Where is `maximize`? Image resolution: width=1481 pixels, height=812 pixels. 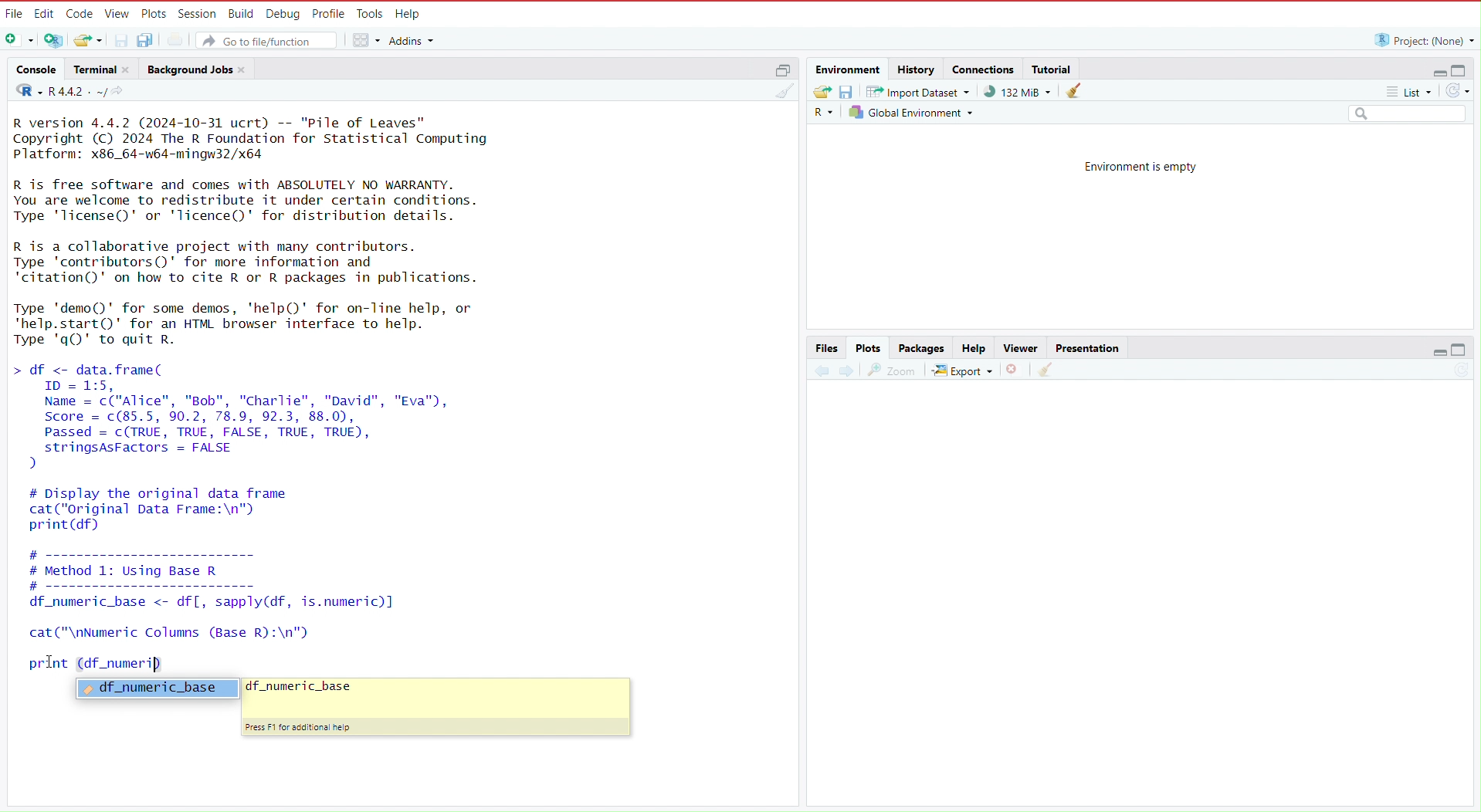 maximize is located at coordinates (781, 68).